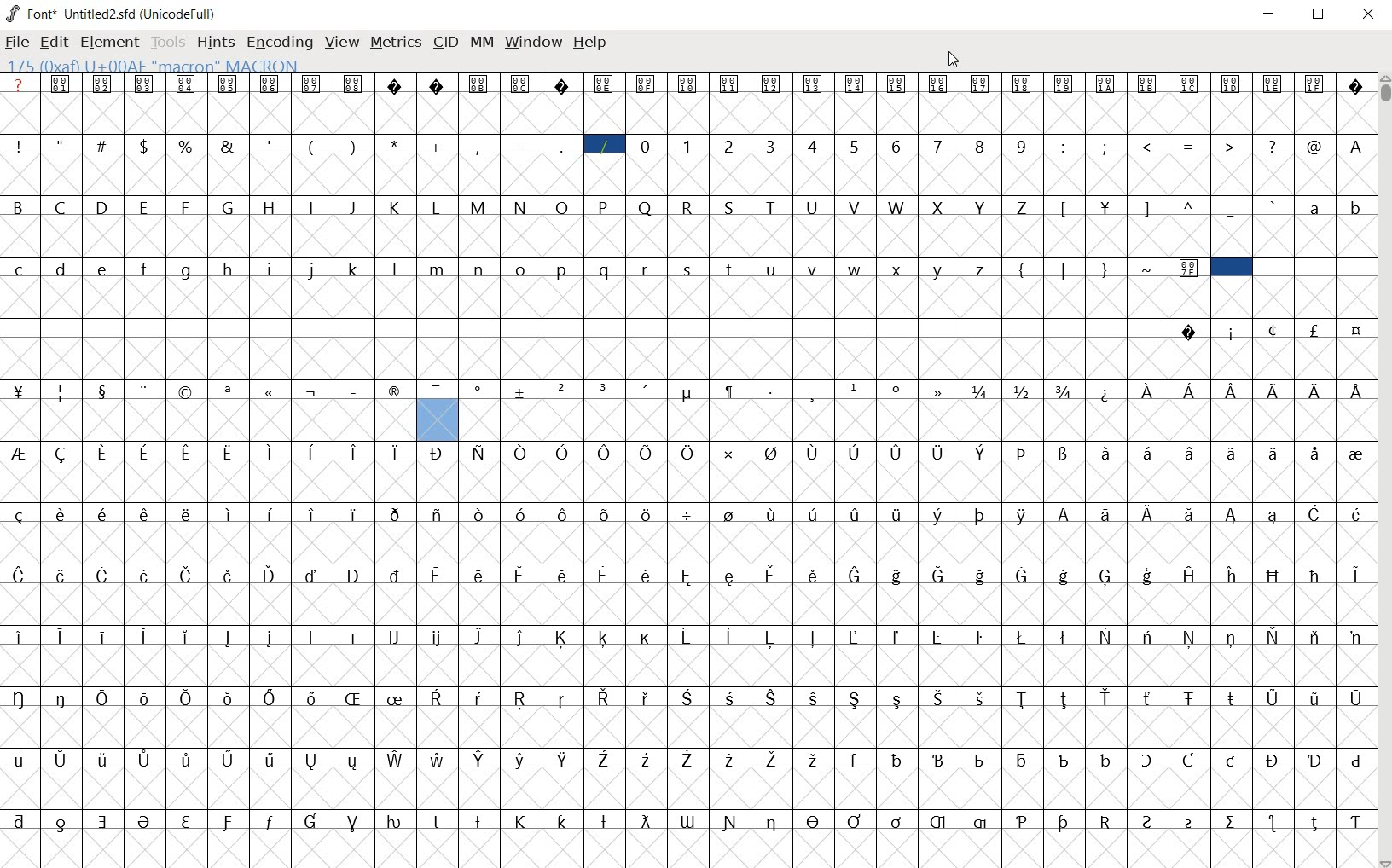  Describe the element at coordinates (855, 512) in the screenshot. I see `Symbol` at that location.